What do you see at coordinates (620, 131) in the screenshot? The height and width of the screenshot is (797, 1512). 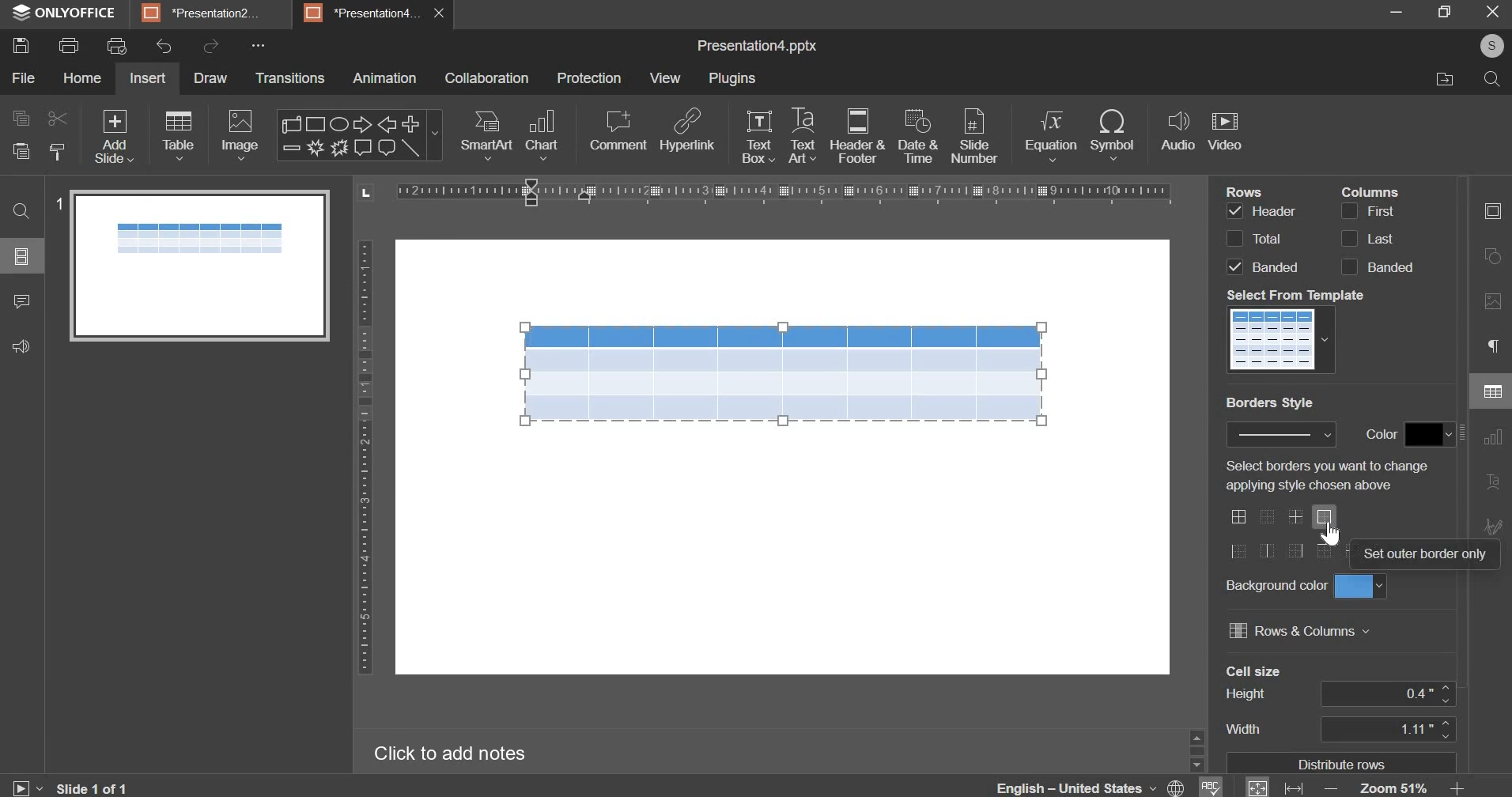 I see `comment` at bounding box center [620, 131].